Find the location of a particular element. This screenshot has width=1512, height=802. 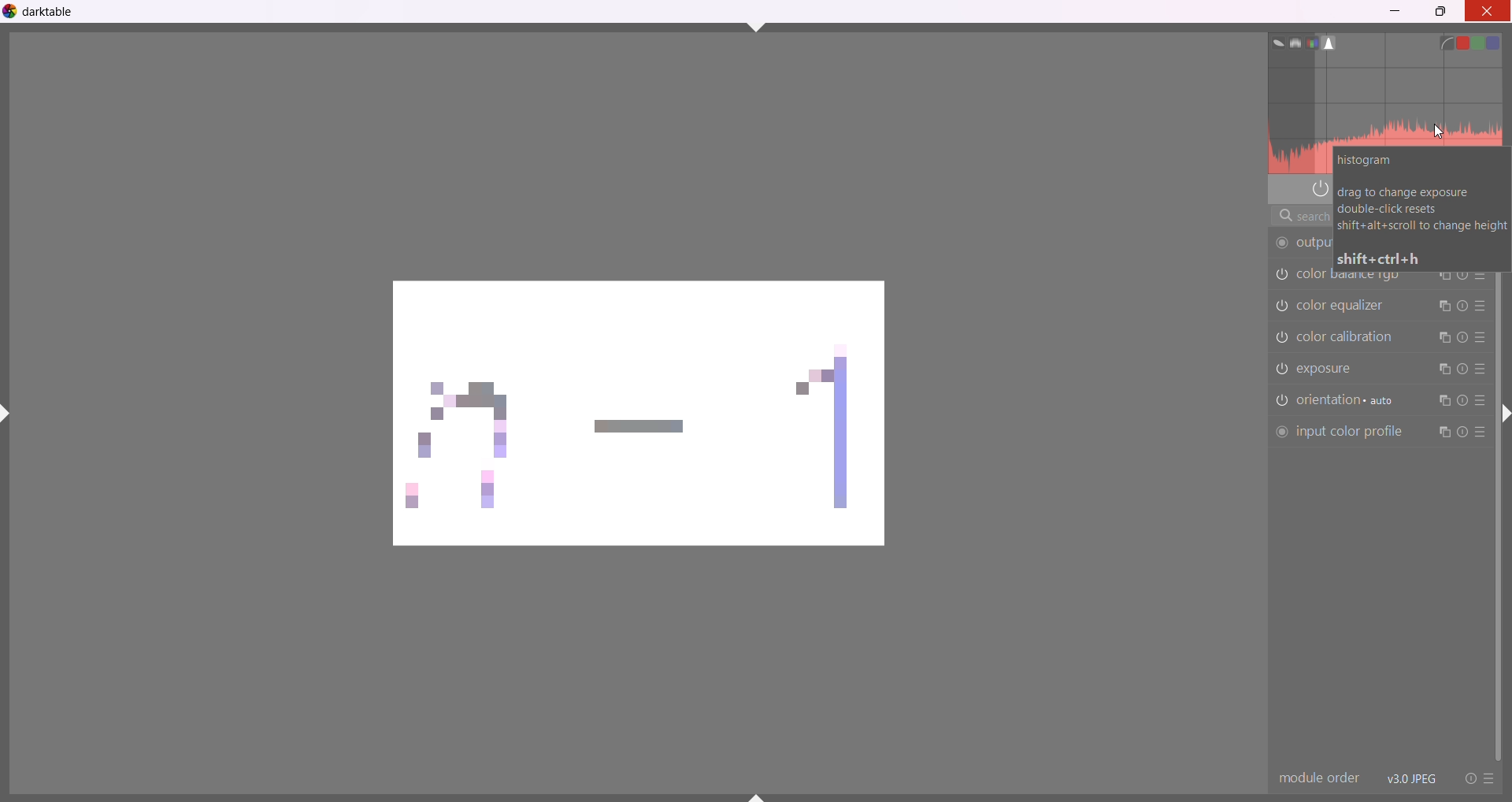

histogram is located at coordinates (1386, 100).